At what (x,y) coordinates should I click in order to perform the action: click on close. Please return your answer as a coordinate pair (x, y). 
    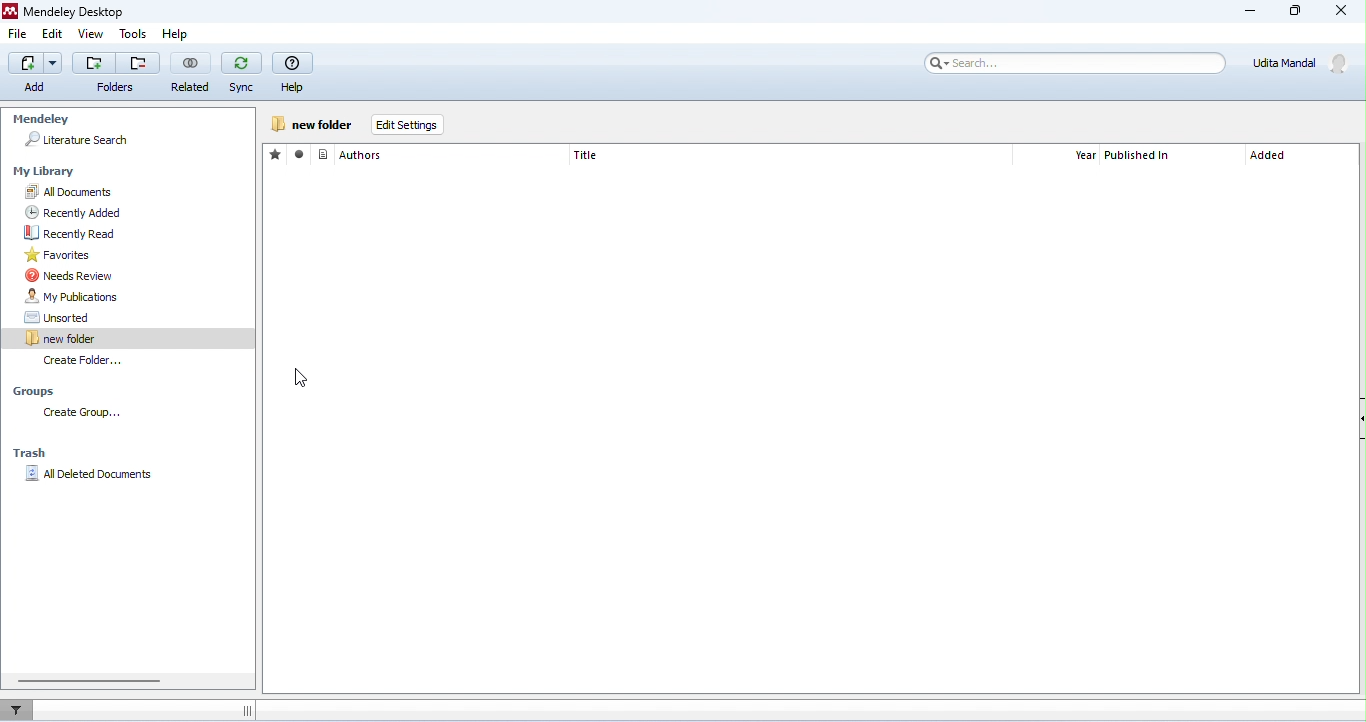
    Looking at the image, I should click on (1339, 11).